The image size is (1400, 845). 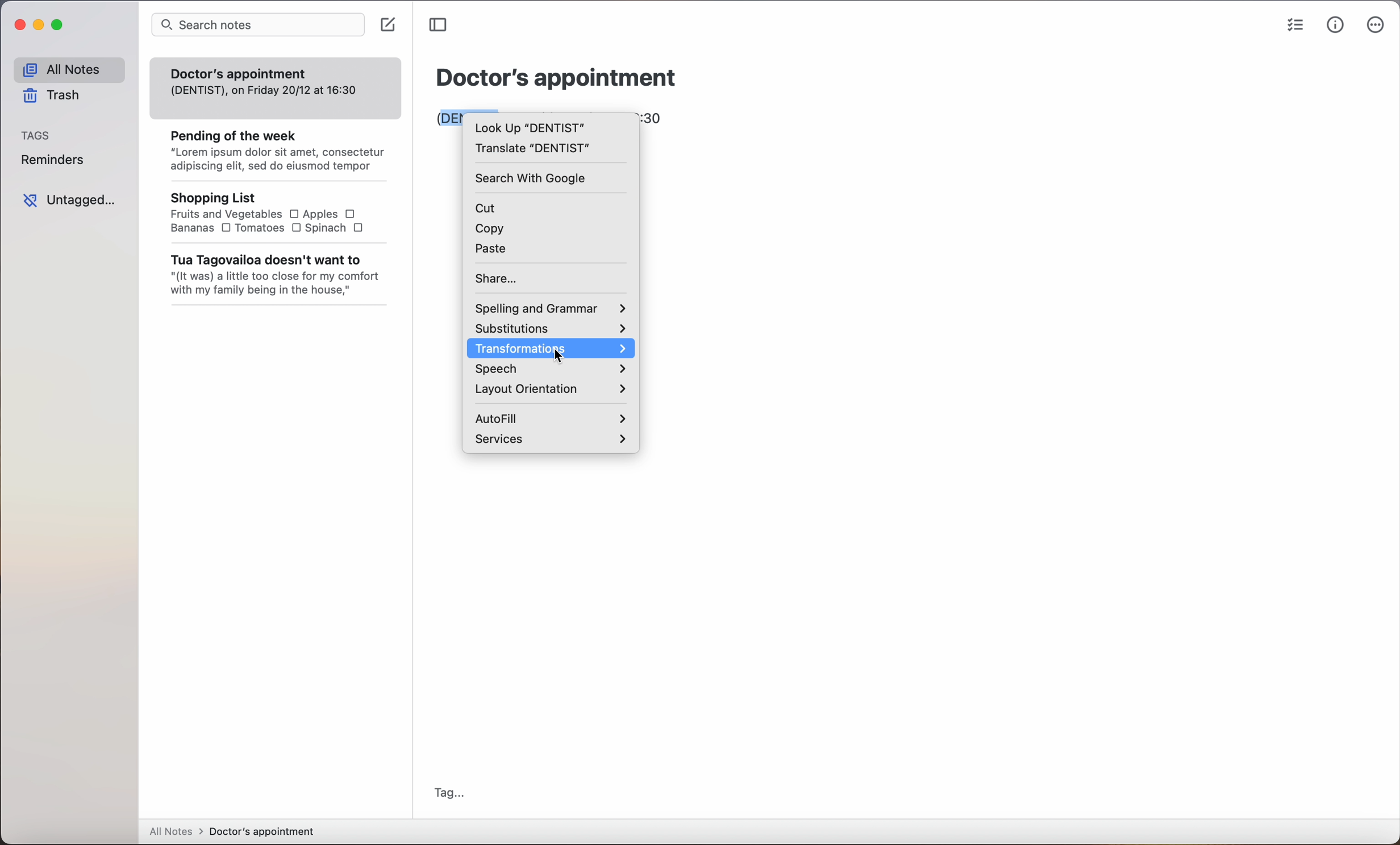 What do you see at coordinates (556, 77) in the screenshot?
I see `Doctor's appointment` at bounding box center [556, 77].